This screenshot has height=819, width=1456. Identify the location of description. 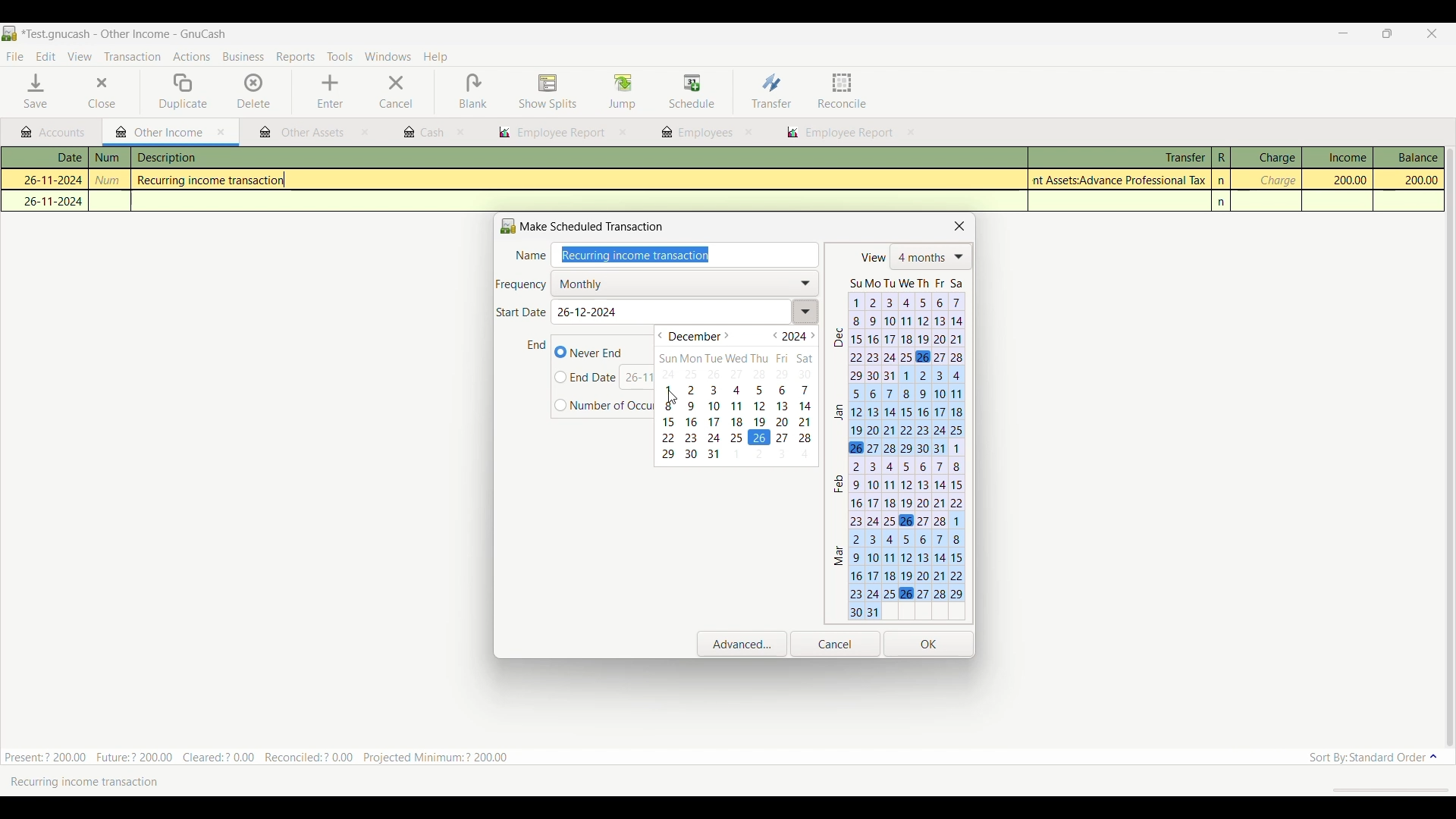
(245, 158).